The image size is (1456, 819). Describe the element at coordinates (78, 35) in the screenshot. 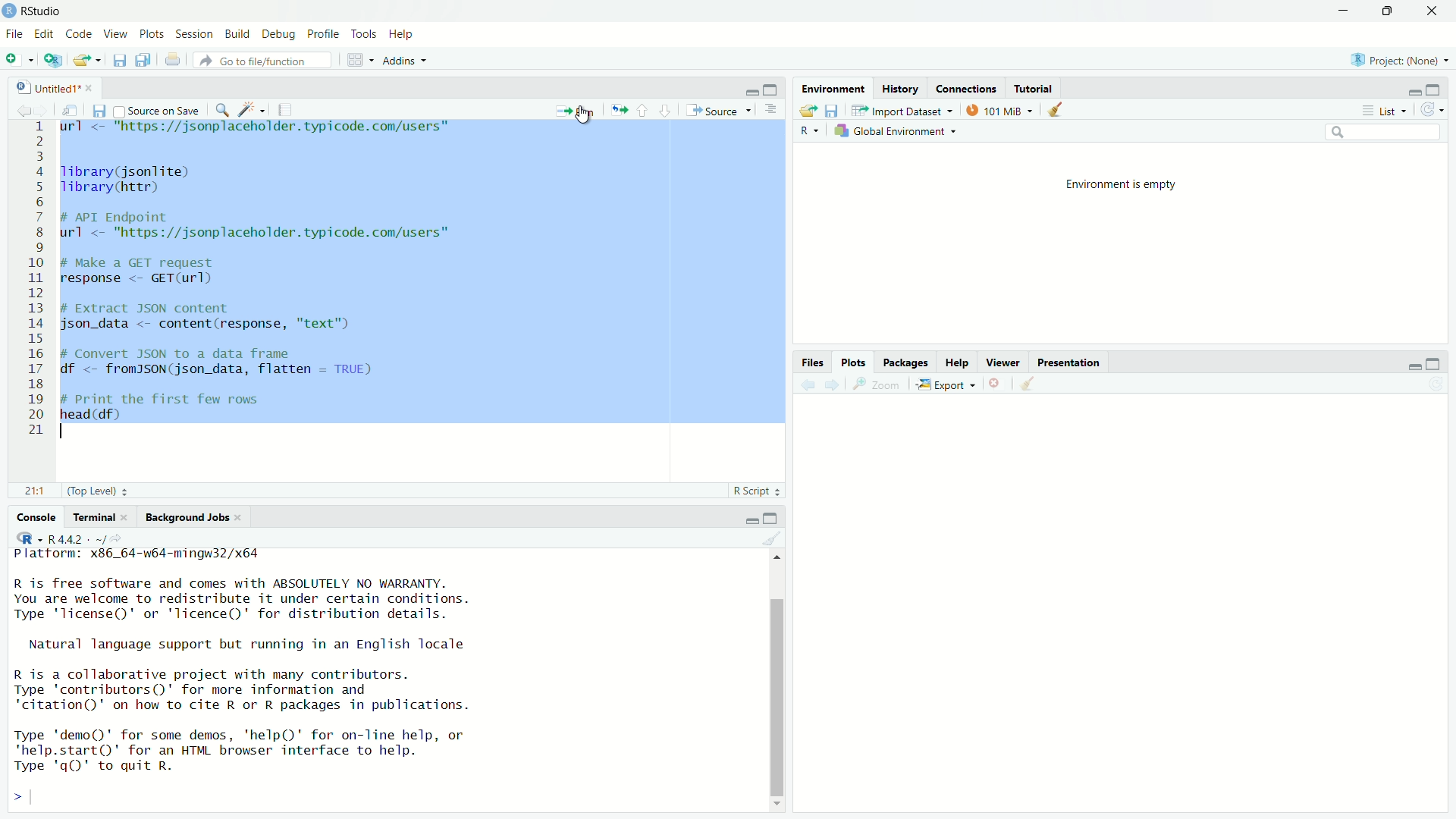

I see `Code` at that location.